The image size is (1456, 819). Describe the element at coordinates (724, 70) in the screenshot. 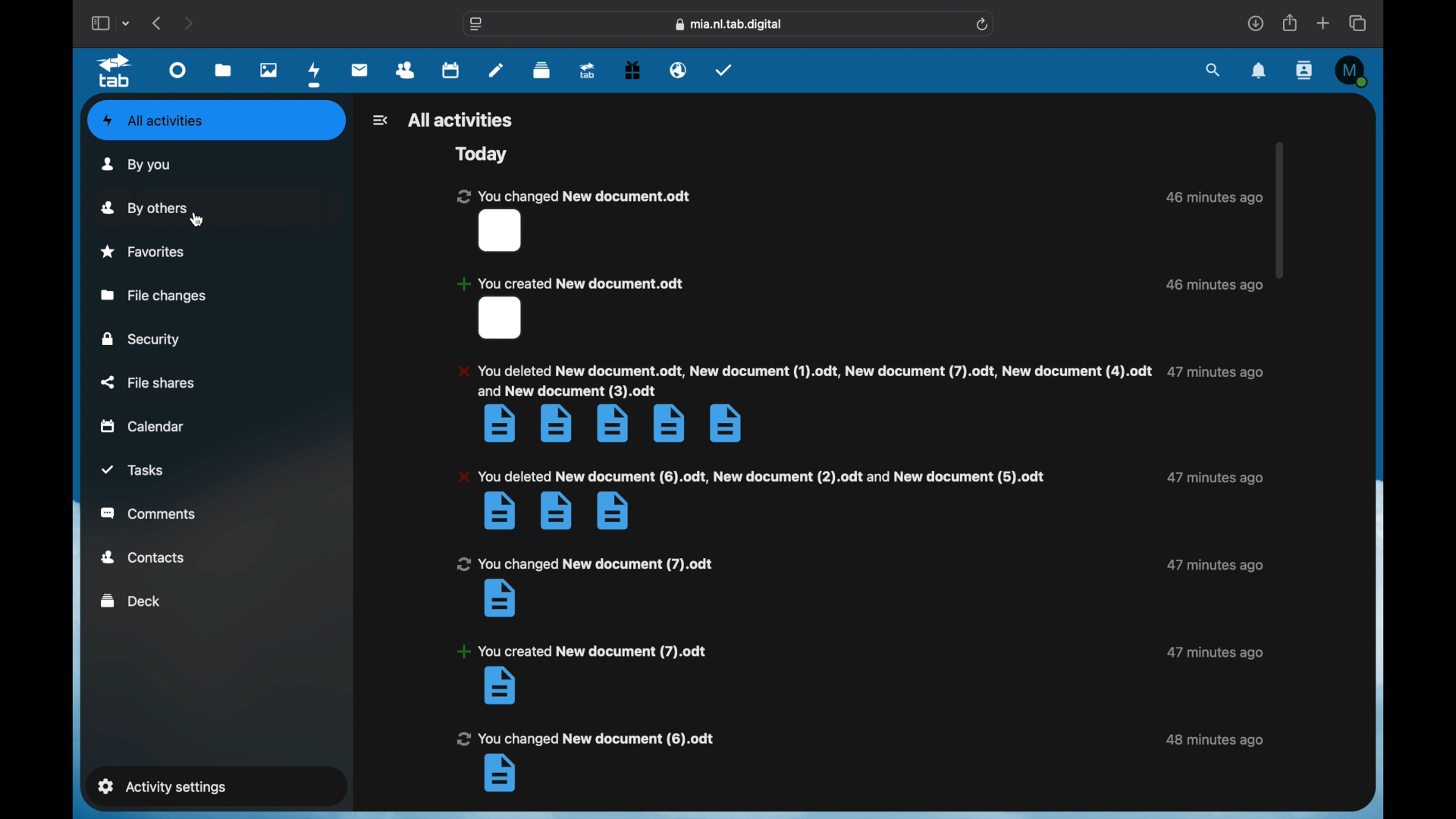

I see `tasks` at that location.